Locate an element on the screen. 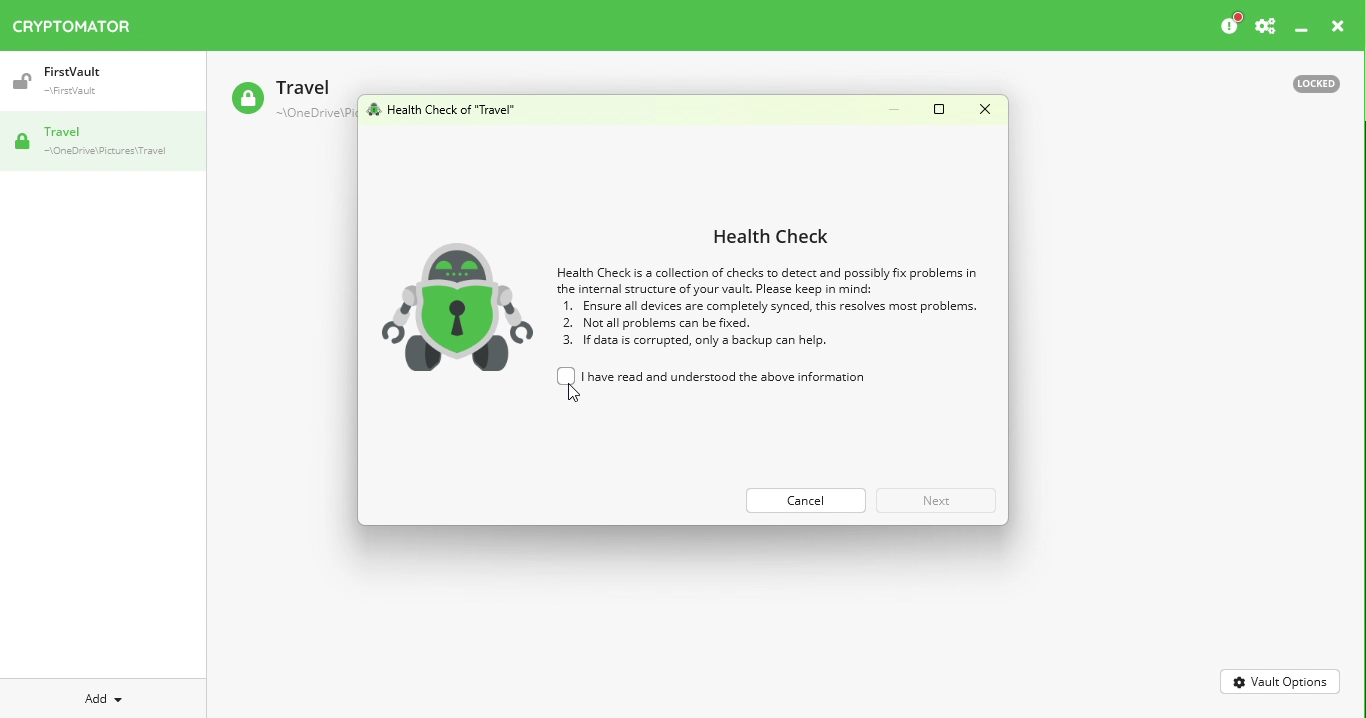 The width and height of the screenshot is (1366, 718). Health check for vault is located at coordinates (447, 110).